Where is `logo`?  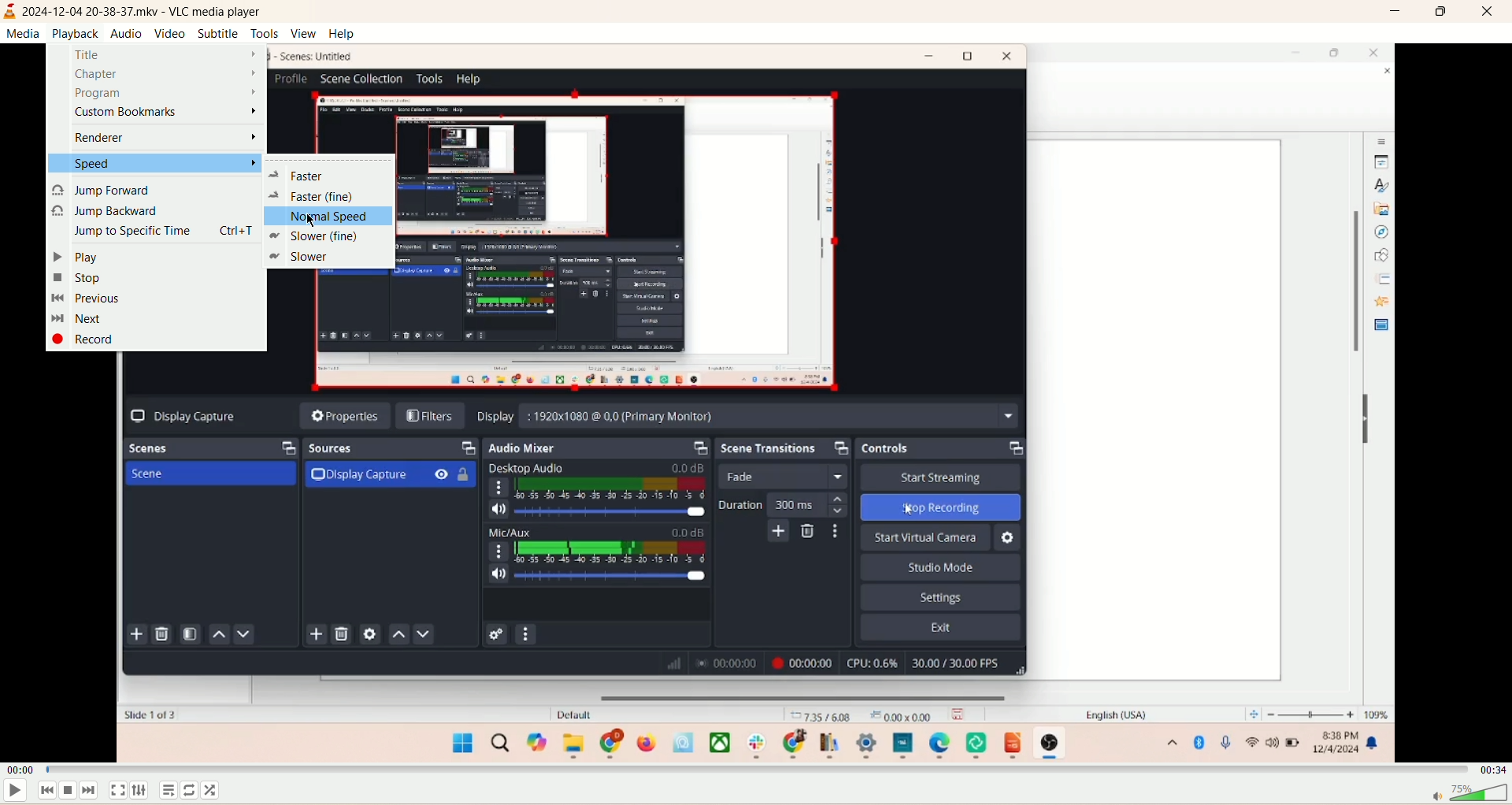 logo is located at coordinates (10, 13).